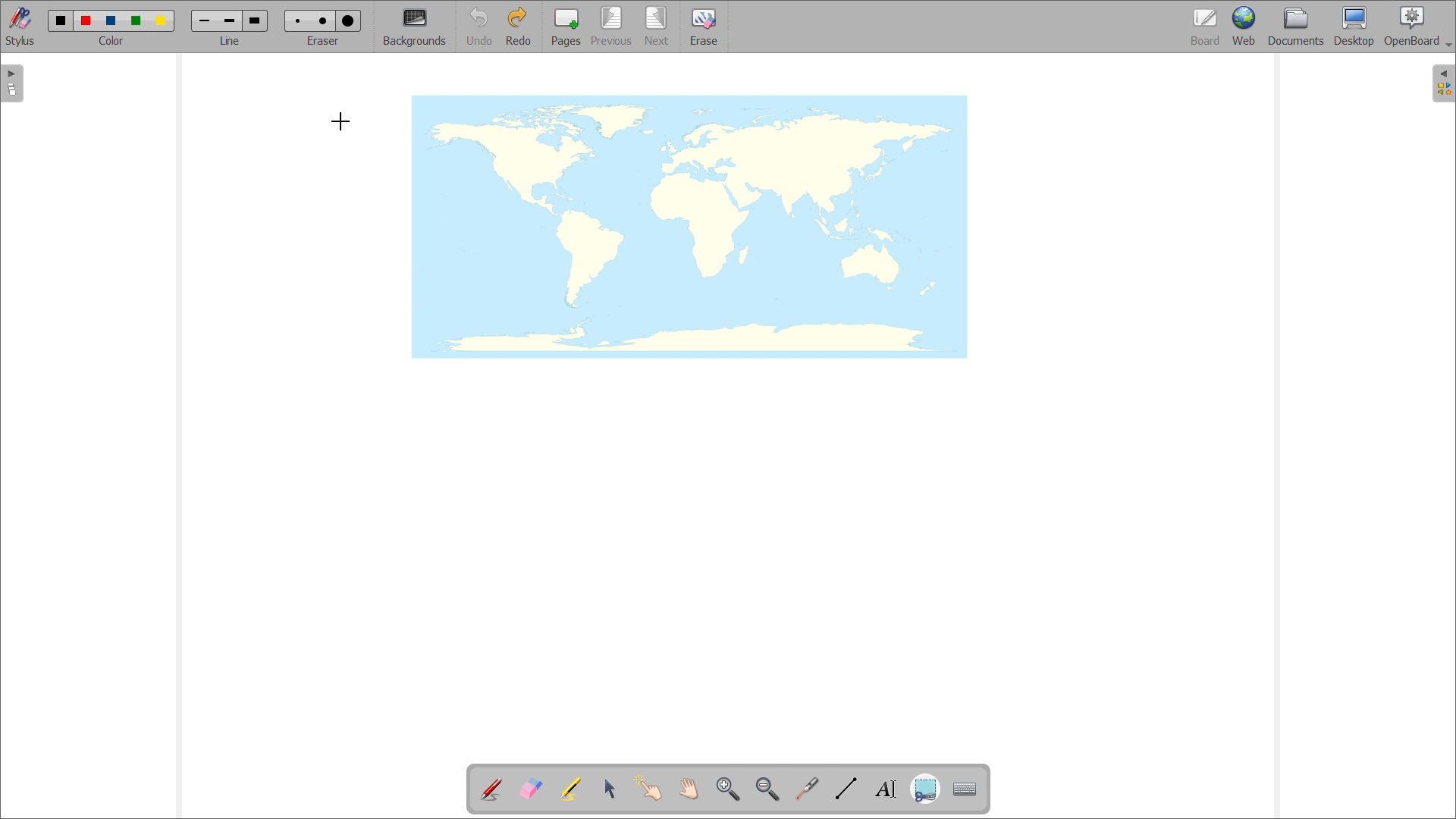 The height and width of the screenshot is (819, 1456). What do you see at coordinates (610, 789) in the screenshot?
I see `select and modify objects` at bounding box center [610, 789].